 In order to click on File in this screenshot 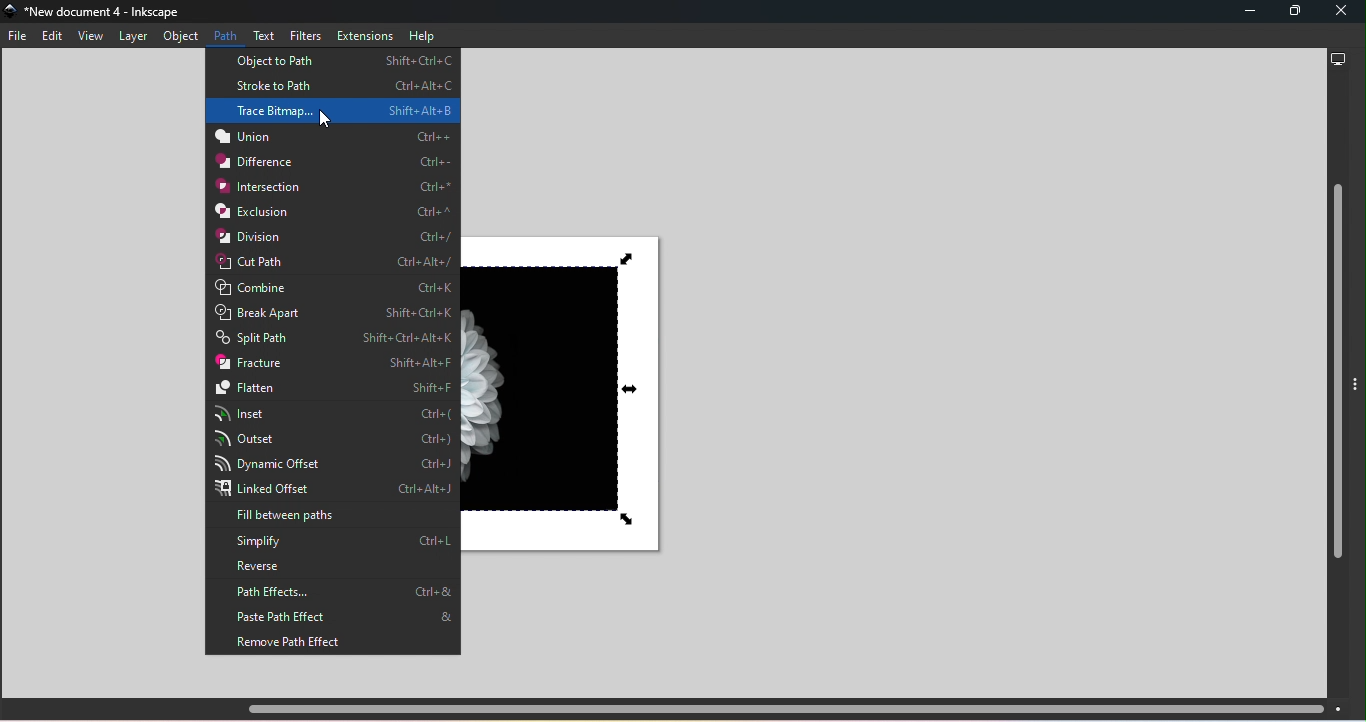, I will do `click(20, 39)`.